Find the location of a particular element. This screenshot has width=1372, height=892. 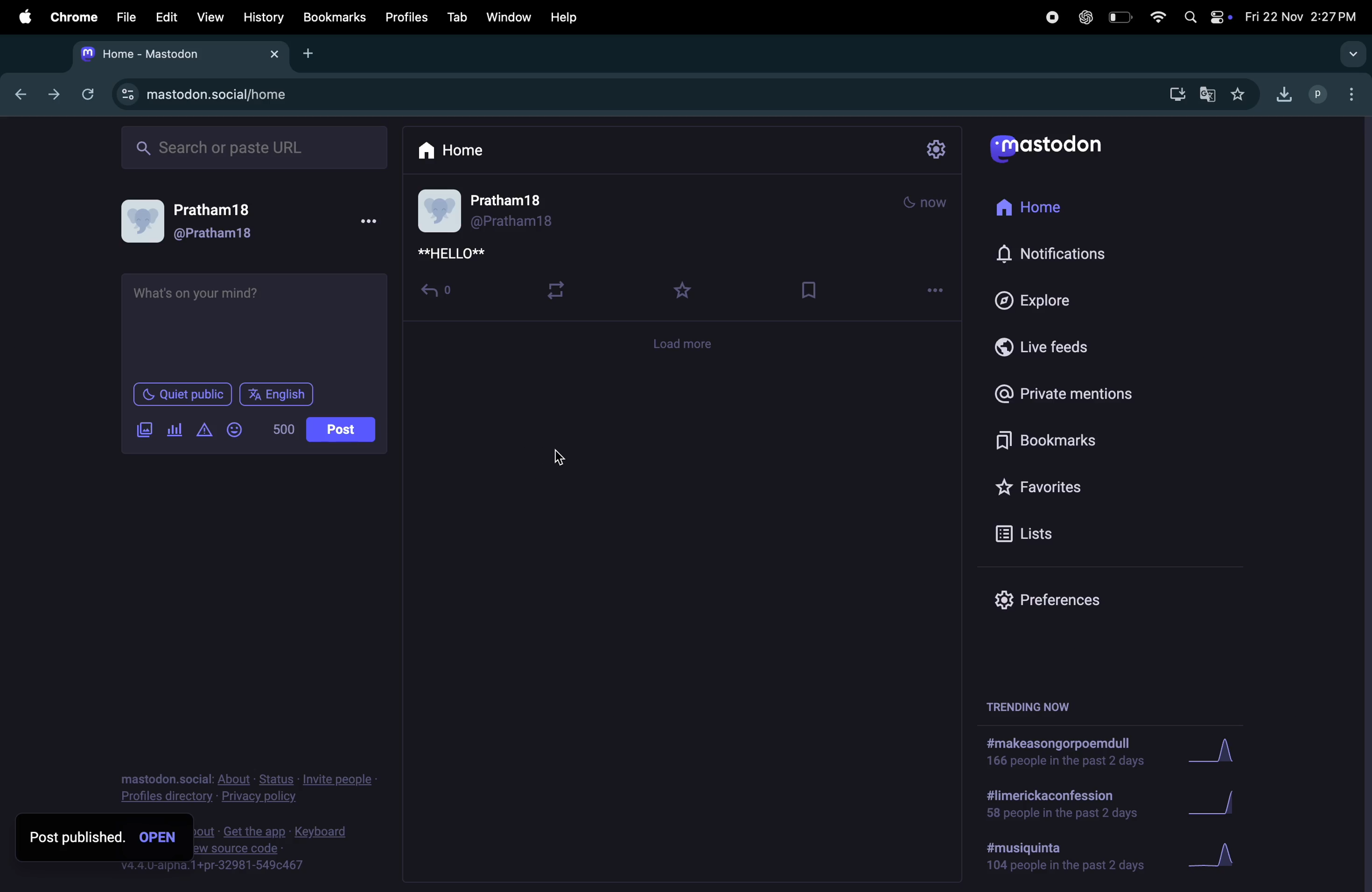

username is located at coordinates (216, 221).